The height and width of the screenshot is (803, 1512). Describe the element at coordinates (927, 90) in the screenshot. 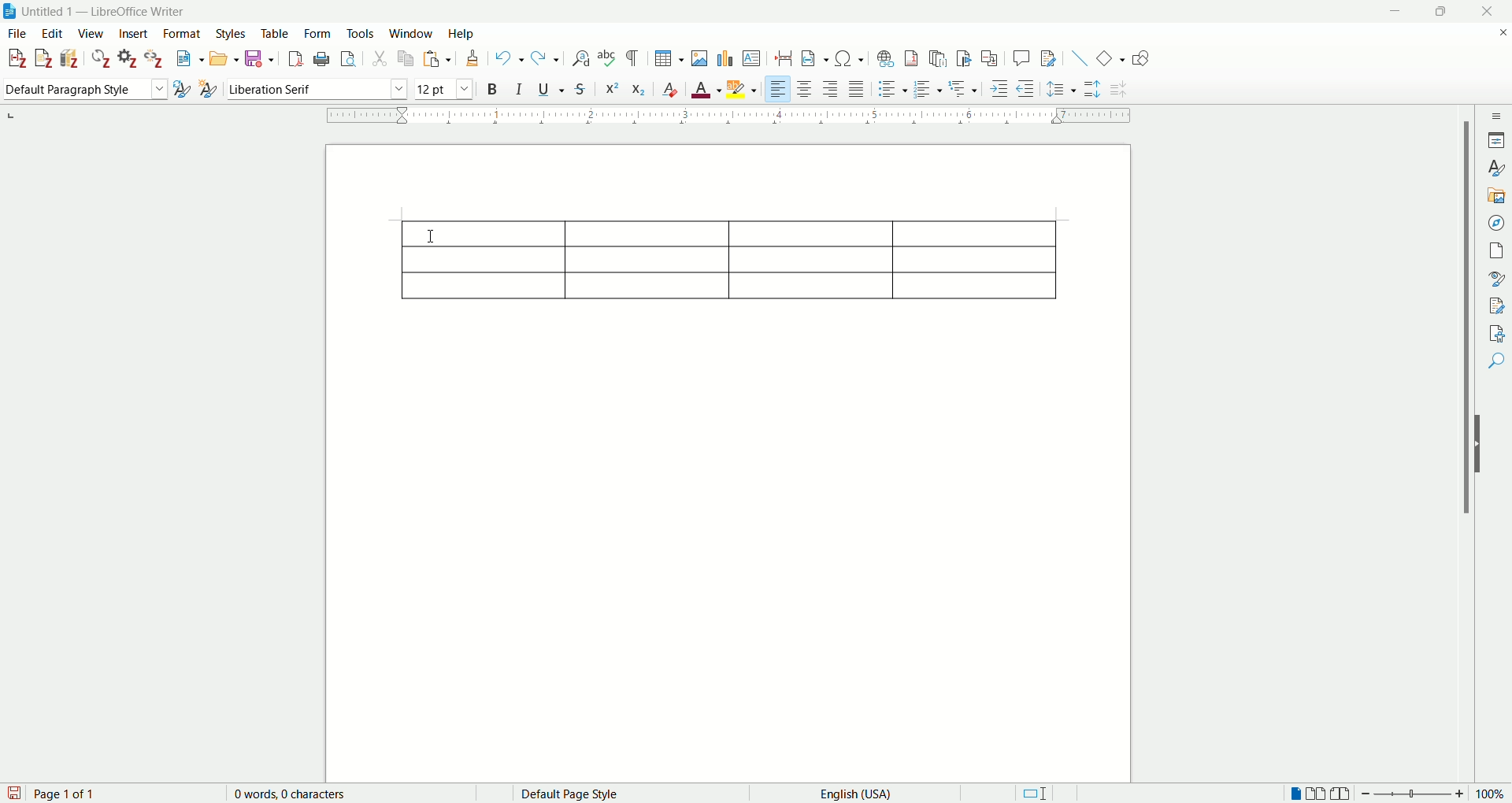

I see `ordered list` at that location.